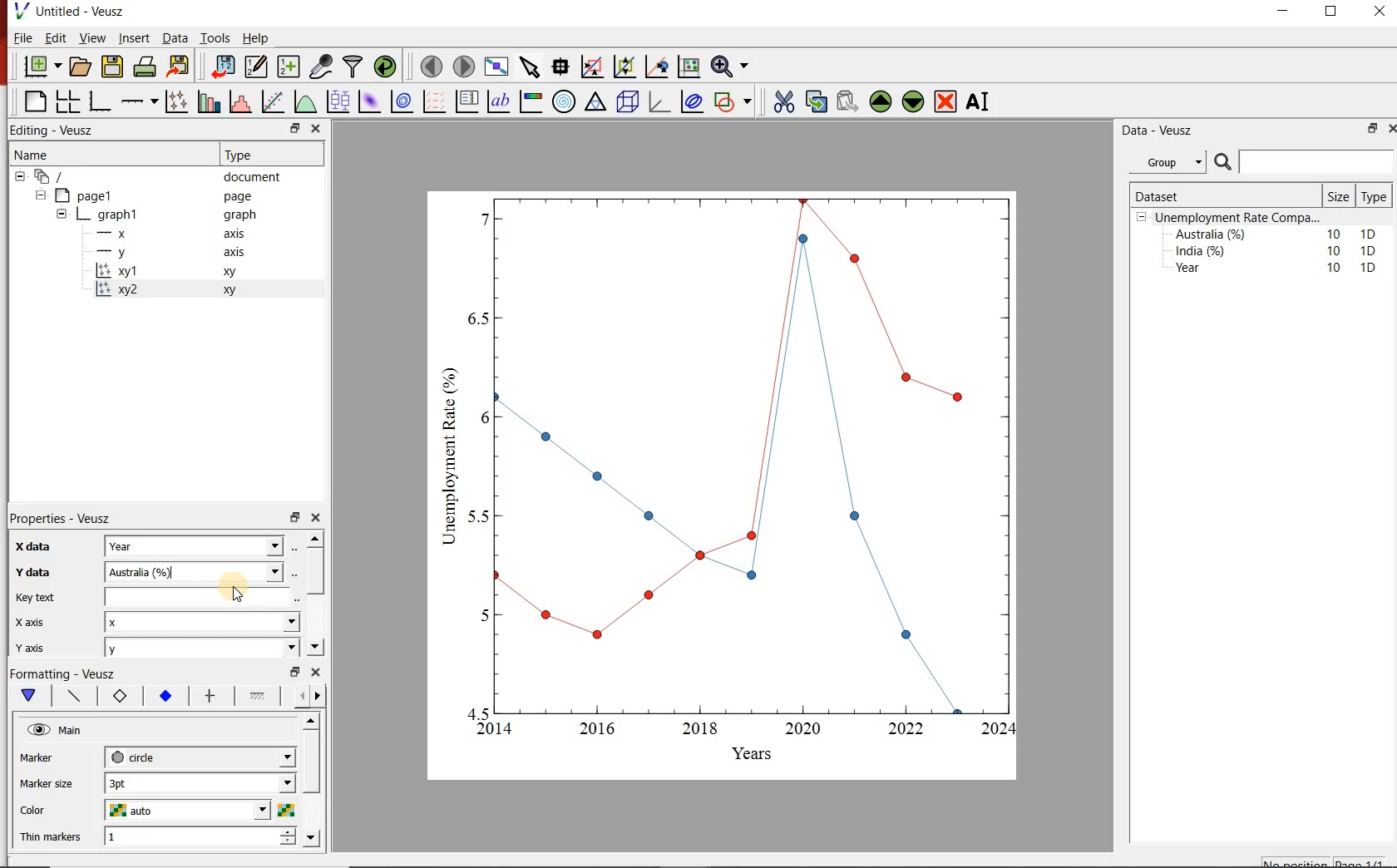 This screenshot has width=1397, height=868. I want to click on Size, so click(1340, 196).